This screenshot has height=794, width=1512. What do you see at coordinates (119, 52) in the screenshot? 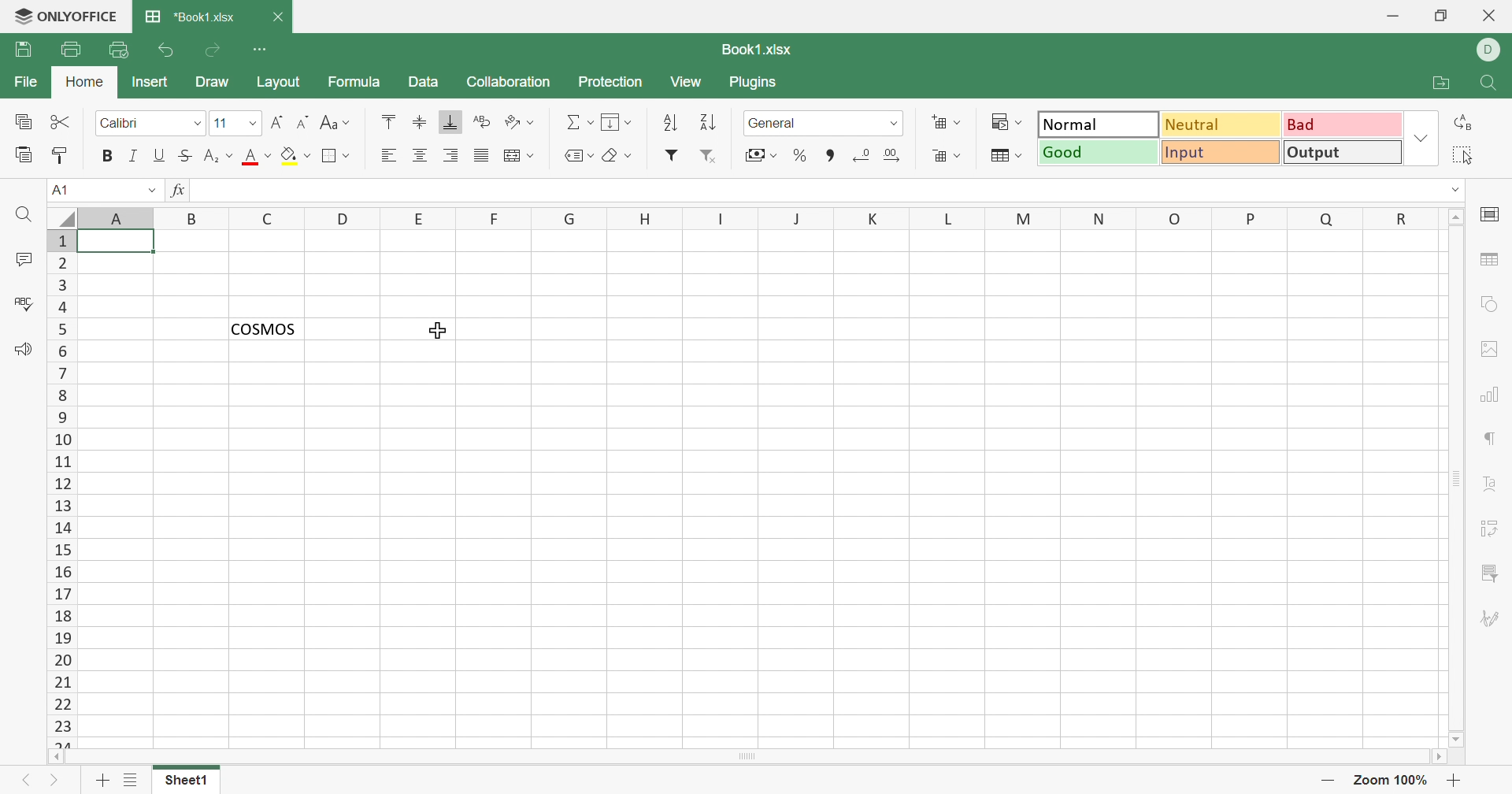
I see `Quick print` at bounding box center [119, 52].